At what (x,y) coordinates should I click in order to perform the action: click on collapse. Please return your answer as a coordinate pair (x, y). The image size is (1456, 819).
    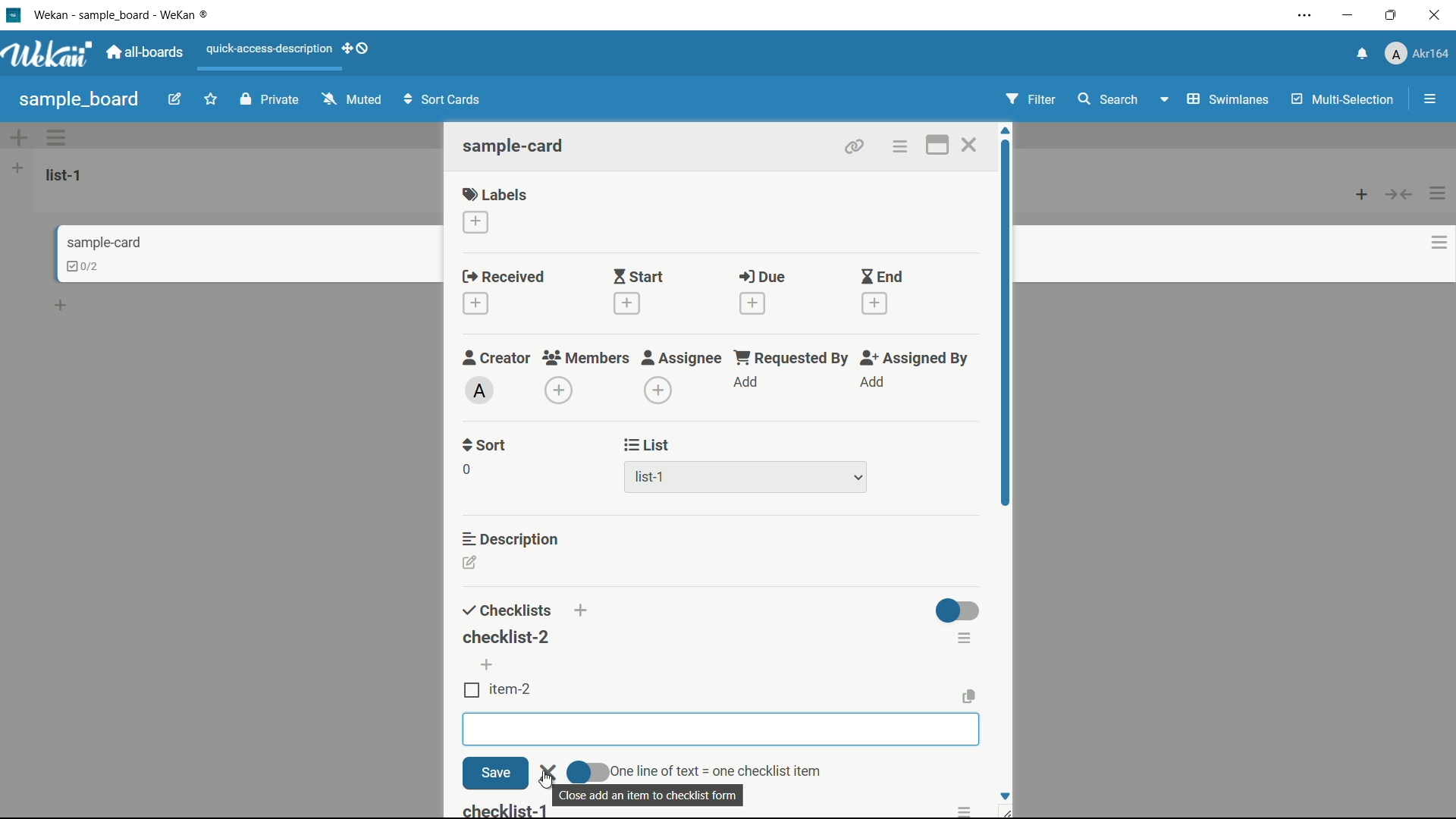
    Looking at the image, I should click on (1400, 194).